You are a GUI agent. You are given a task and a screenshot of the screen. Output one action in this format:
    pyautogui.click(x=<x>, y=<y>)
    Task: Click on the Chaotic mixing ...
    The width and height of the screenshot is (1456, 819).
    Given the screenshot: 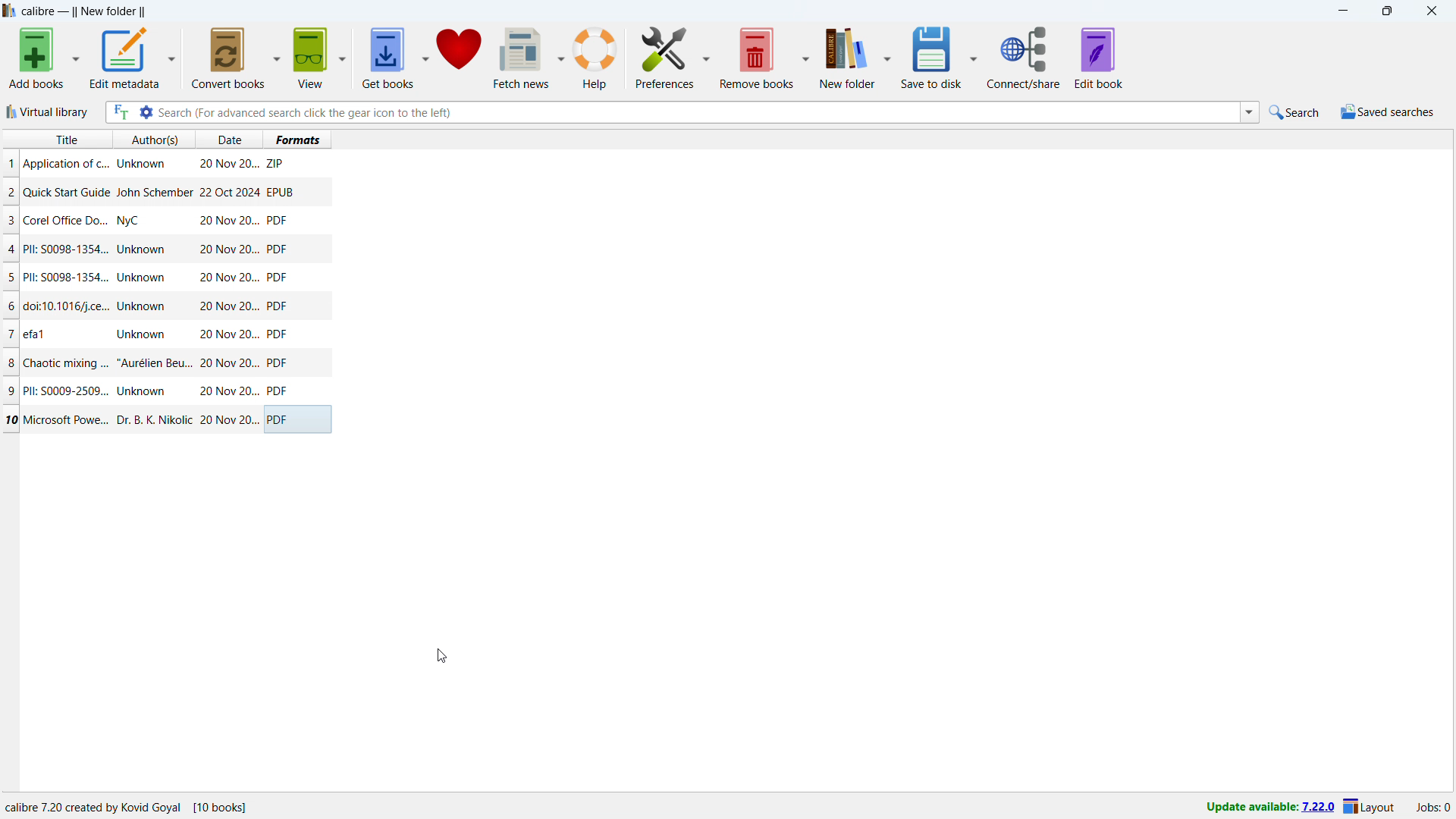 What is the action you would take?
    pyautogui.click(x=65, y=364)
    